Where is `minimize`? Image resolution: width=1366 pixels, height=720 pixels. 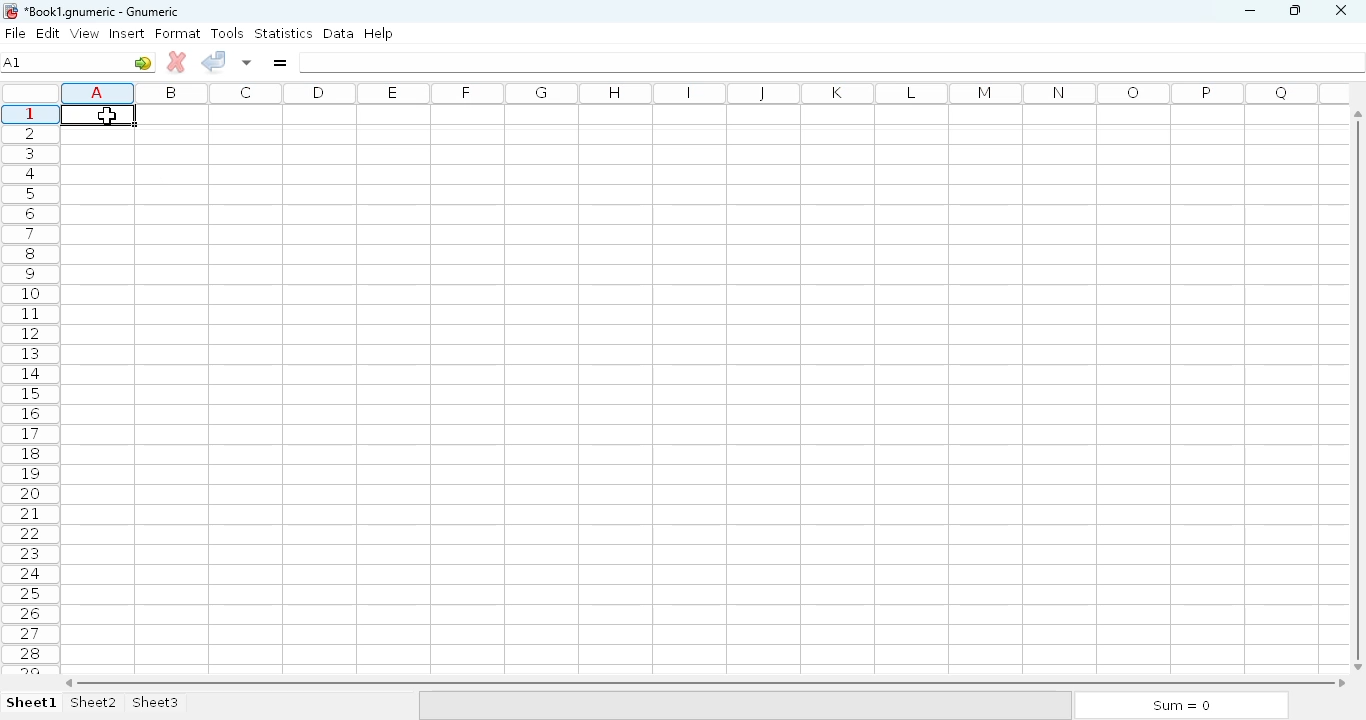 minimize is located at coordinates (1249, 11).